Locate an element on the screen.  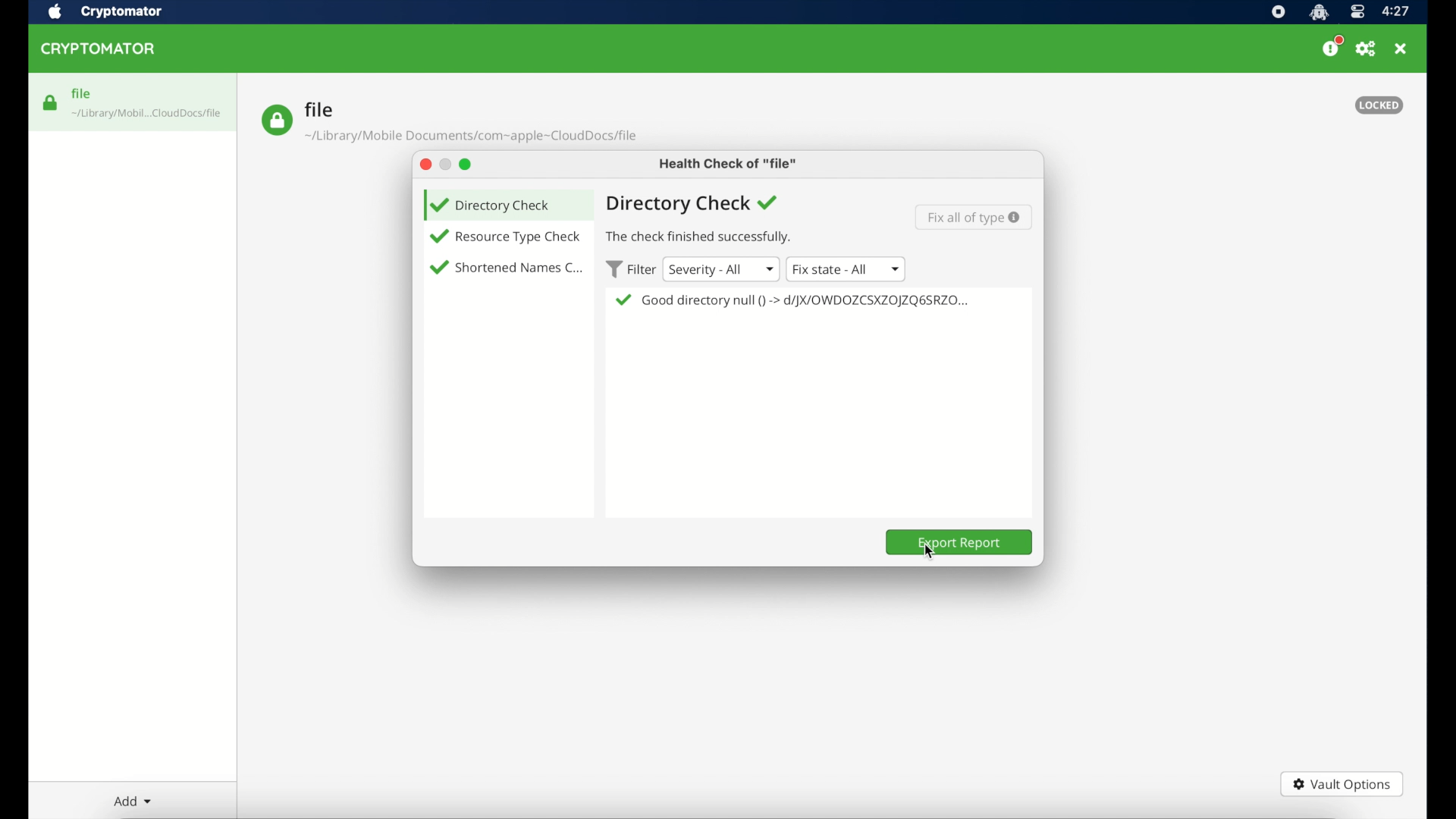
directory check is located at coordinates (693, 205).